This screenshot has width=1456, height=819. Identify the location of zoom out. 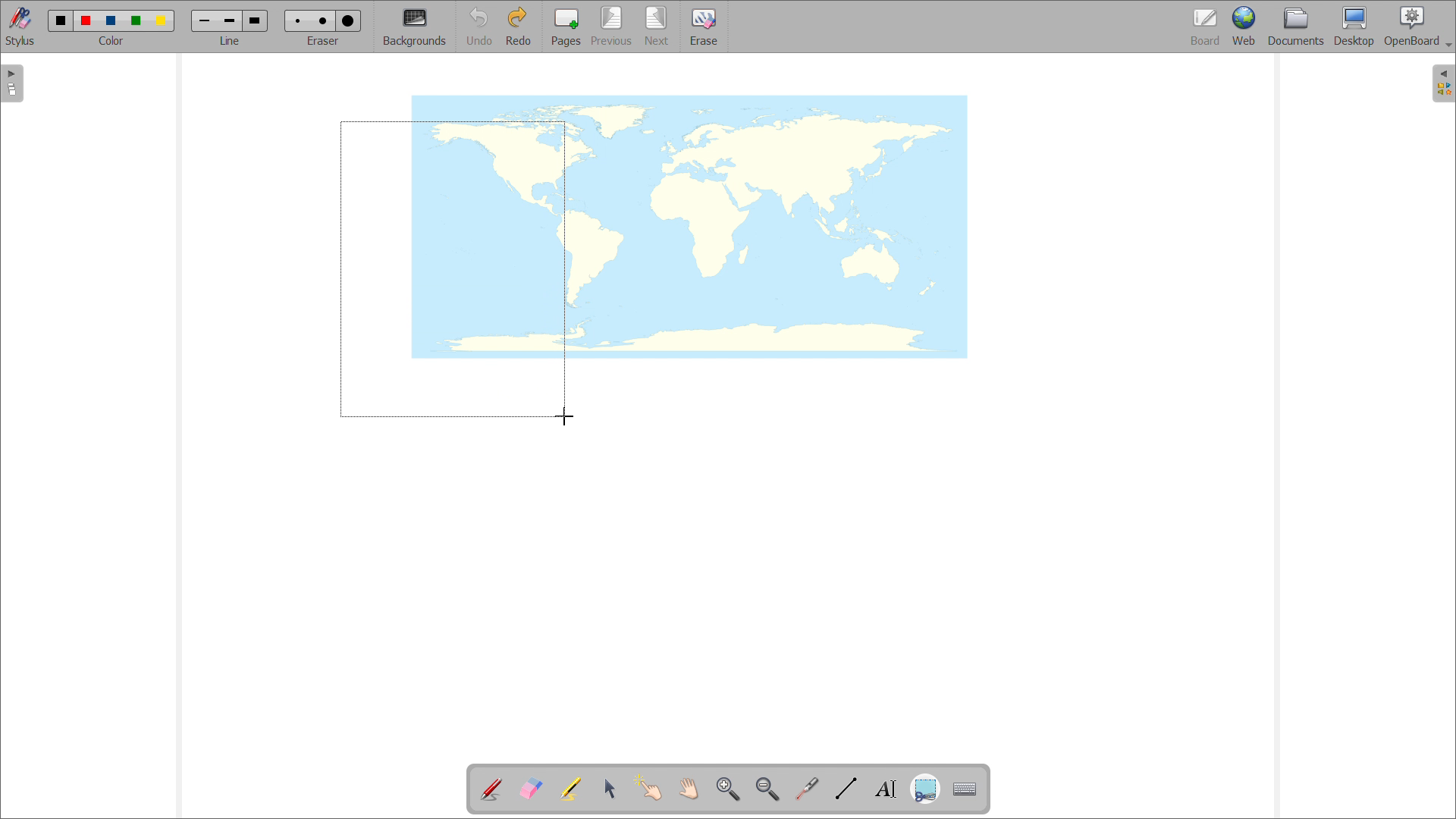
(767, 789).